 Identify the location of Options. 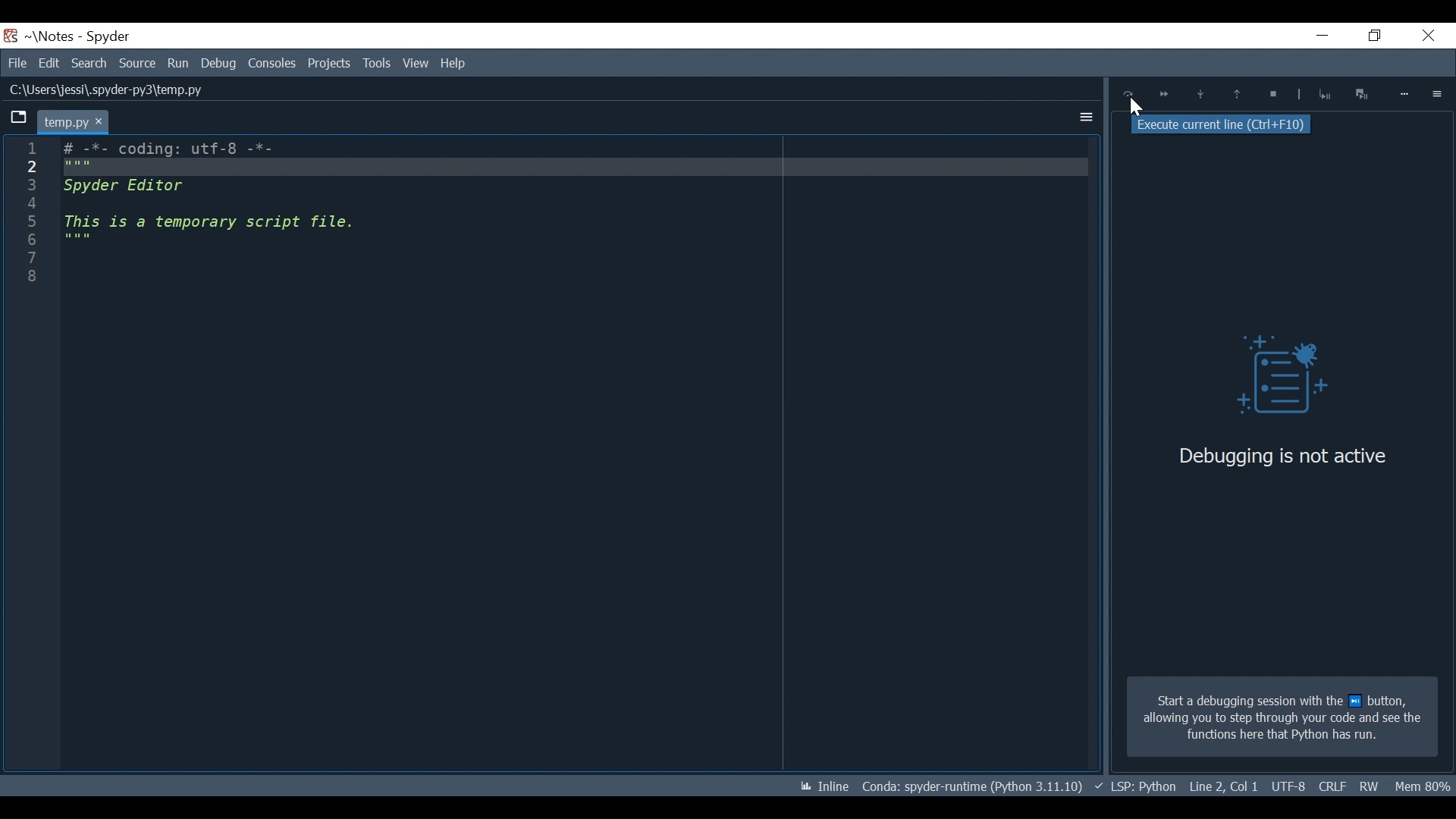
(1438, 93).